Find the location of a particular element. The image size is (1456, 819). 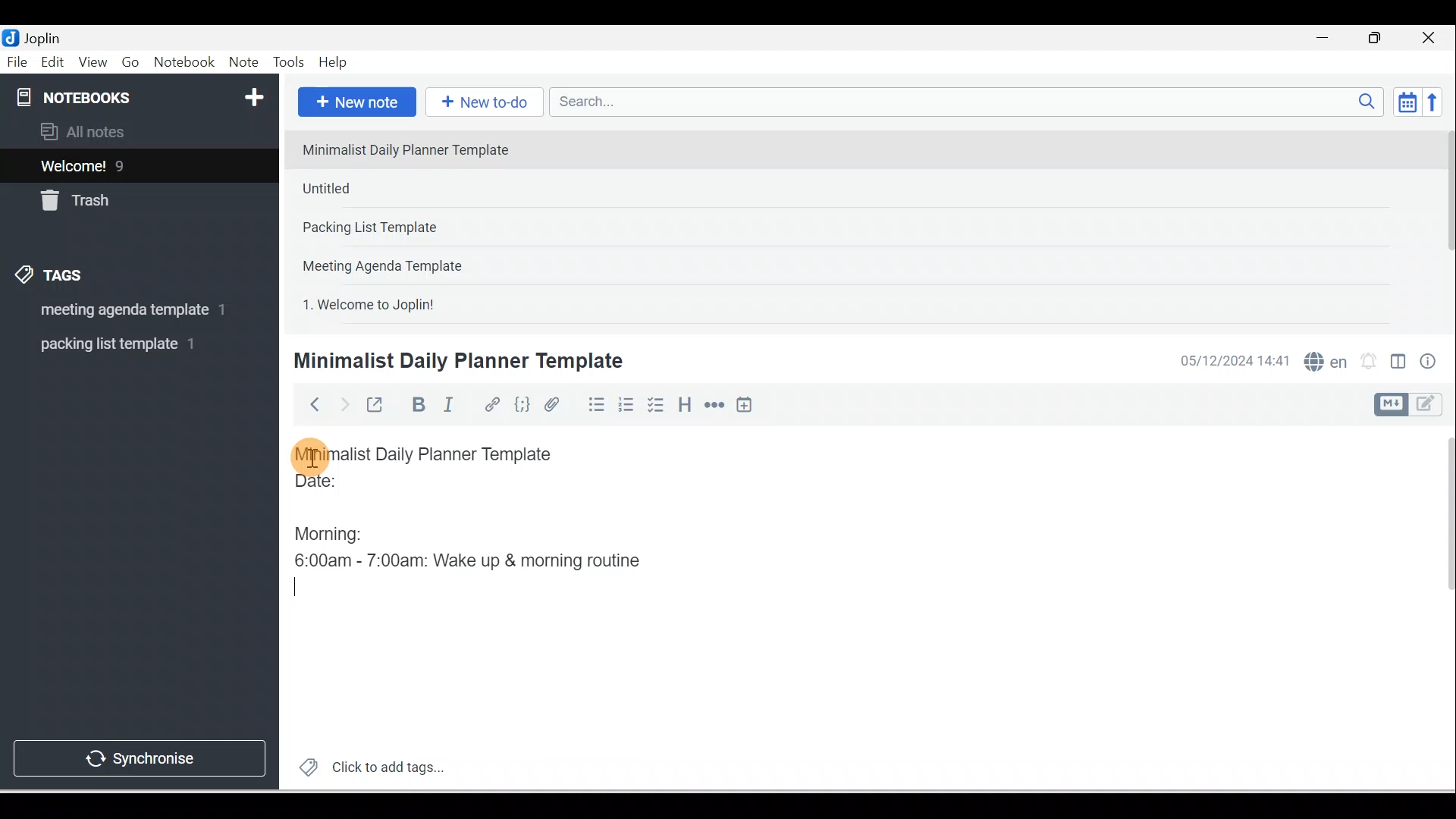

Checkbox is located at coordinates (654, 405).